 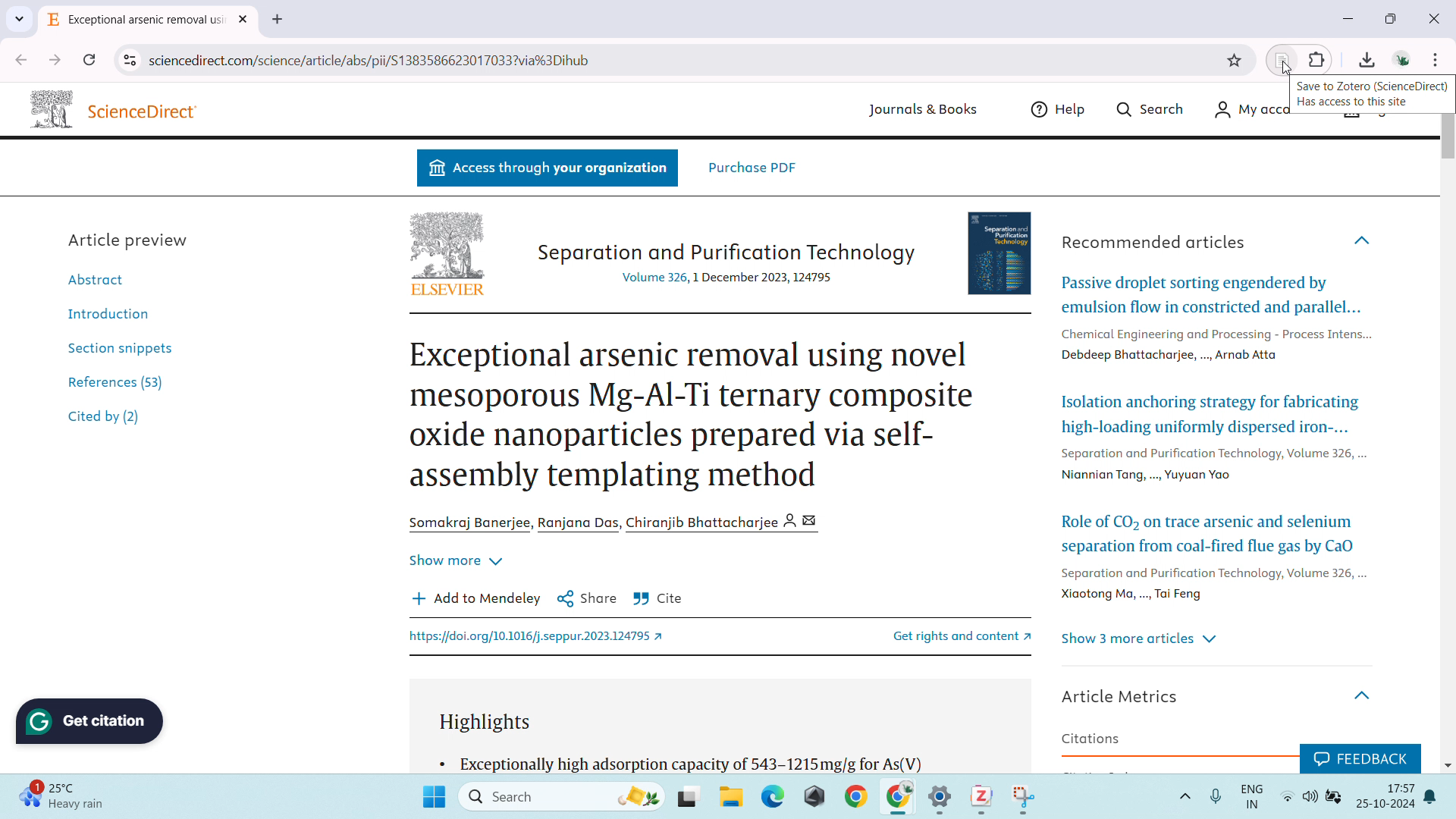 I want to click on Recommended articles, so click(x=1154, y=242).